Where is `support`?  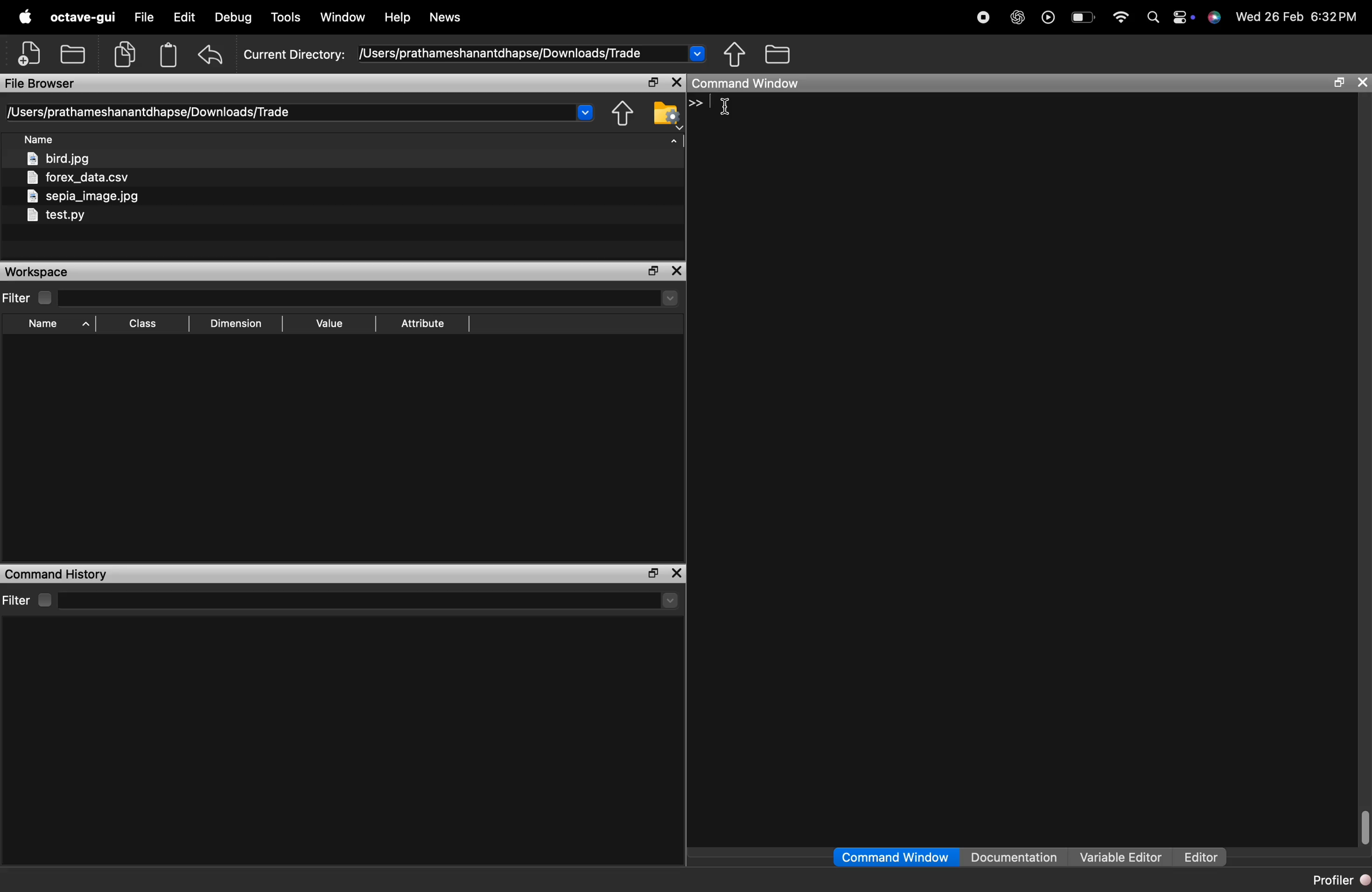
support is located at coordinates (1216, 18).